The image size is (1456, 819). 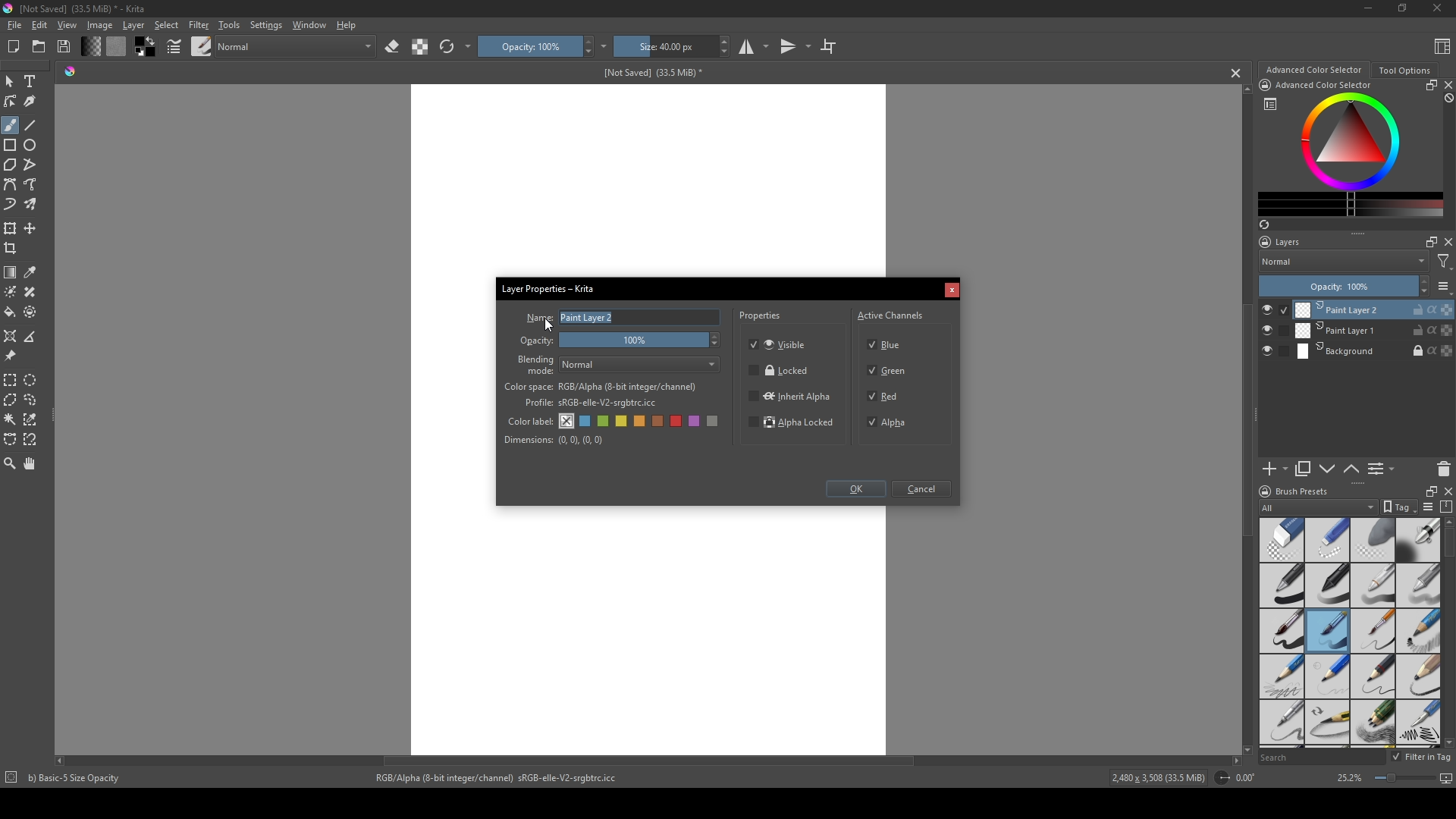 I want to click on icon, so click(x=10, y=779).